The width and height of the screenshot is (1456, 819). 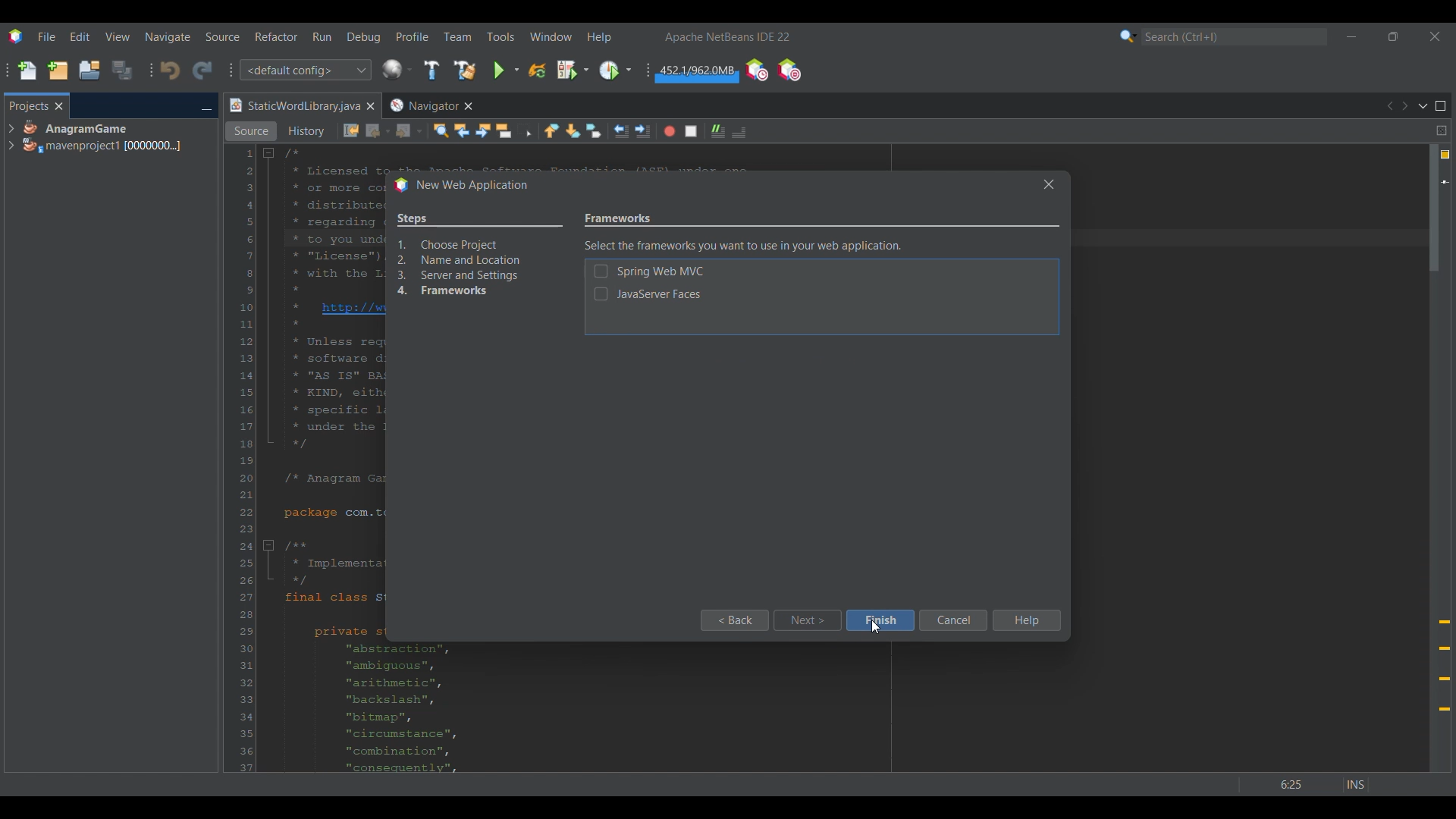 I want to click on Minimize, so click(x=206, y=107).